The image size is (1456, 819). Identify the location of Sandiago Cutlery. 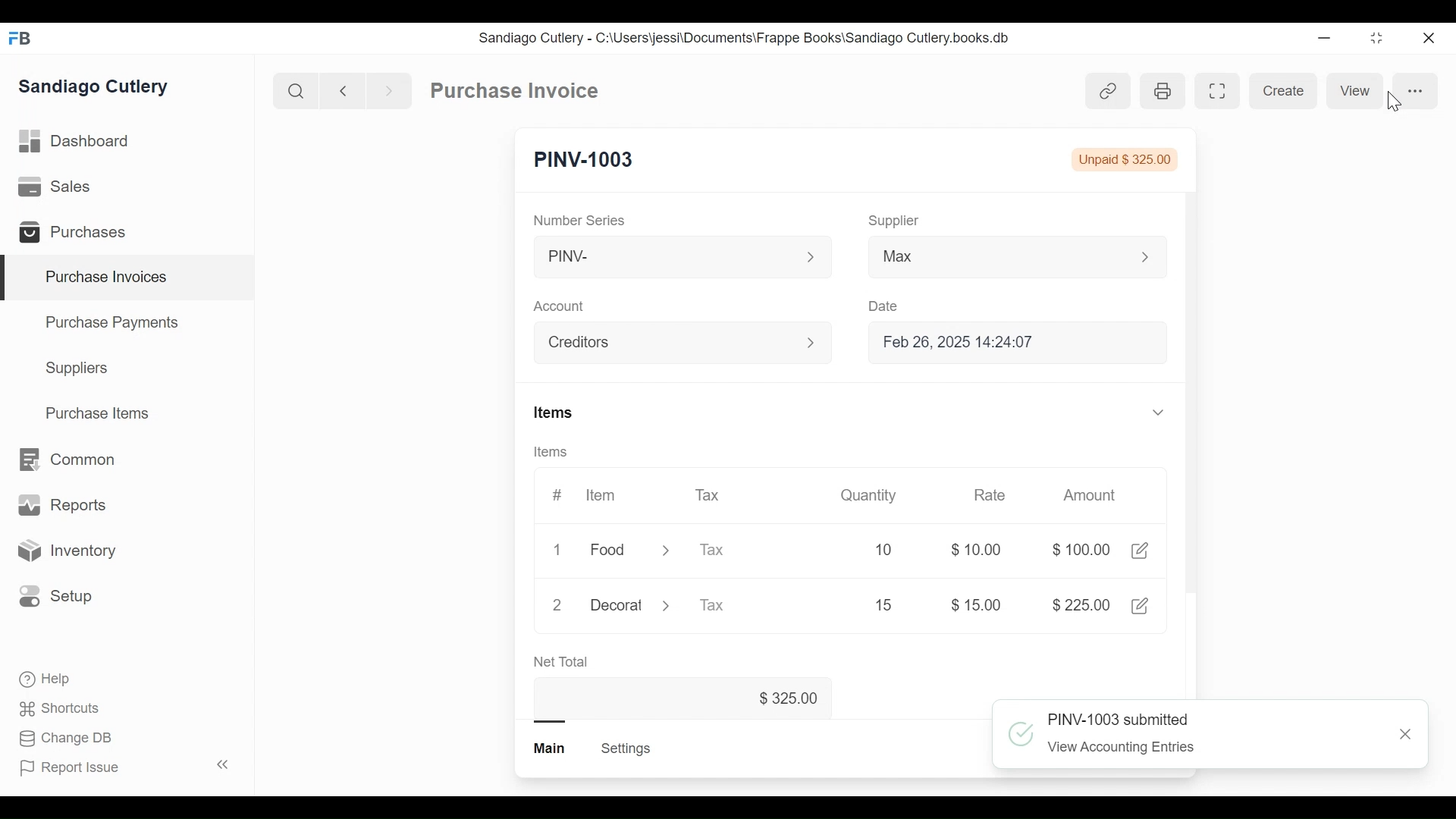
(96, 88).